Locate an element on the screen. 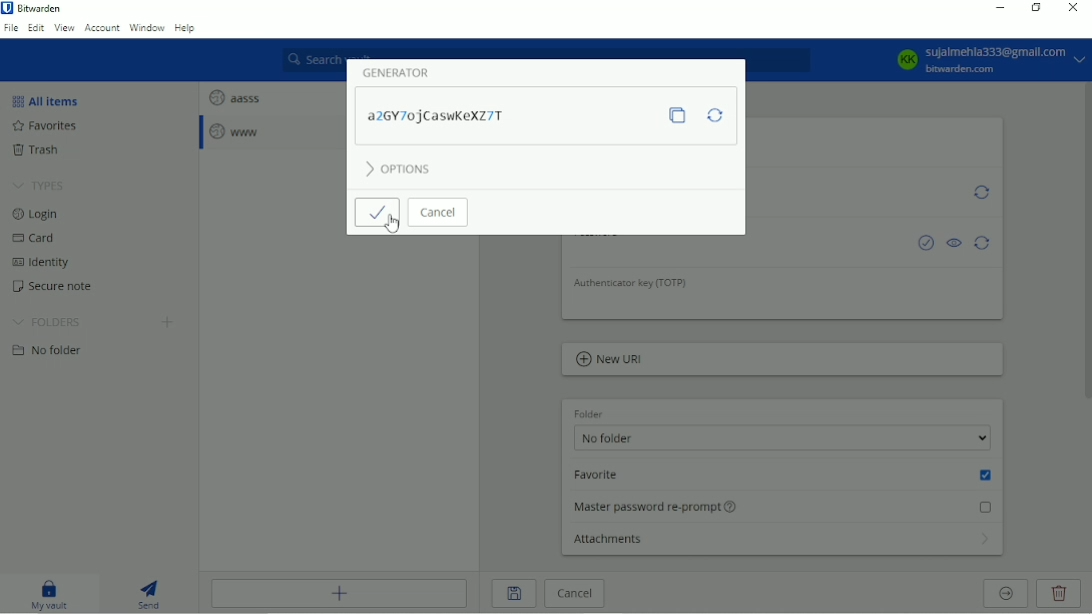 Image resolution: width=1092 pixels, height=614 pixels. Cancel is located at coordinates (575, 595).